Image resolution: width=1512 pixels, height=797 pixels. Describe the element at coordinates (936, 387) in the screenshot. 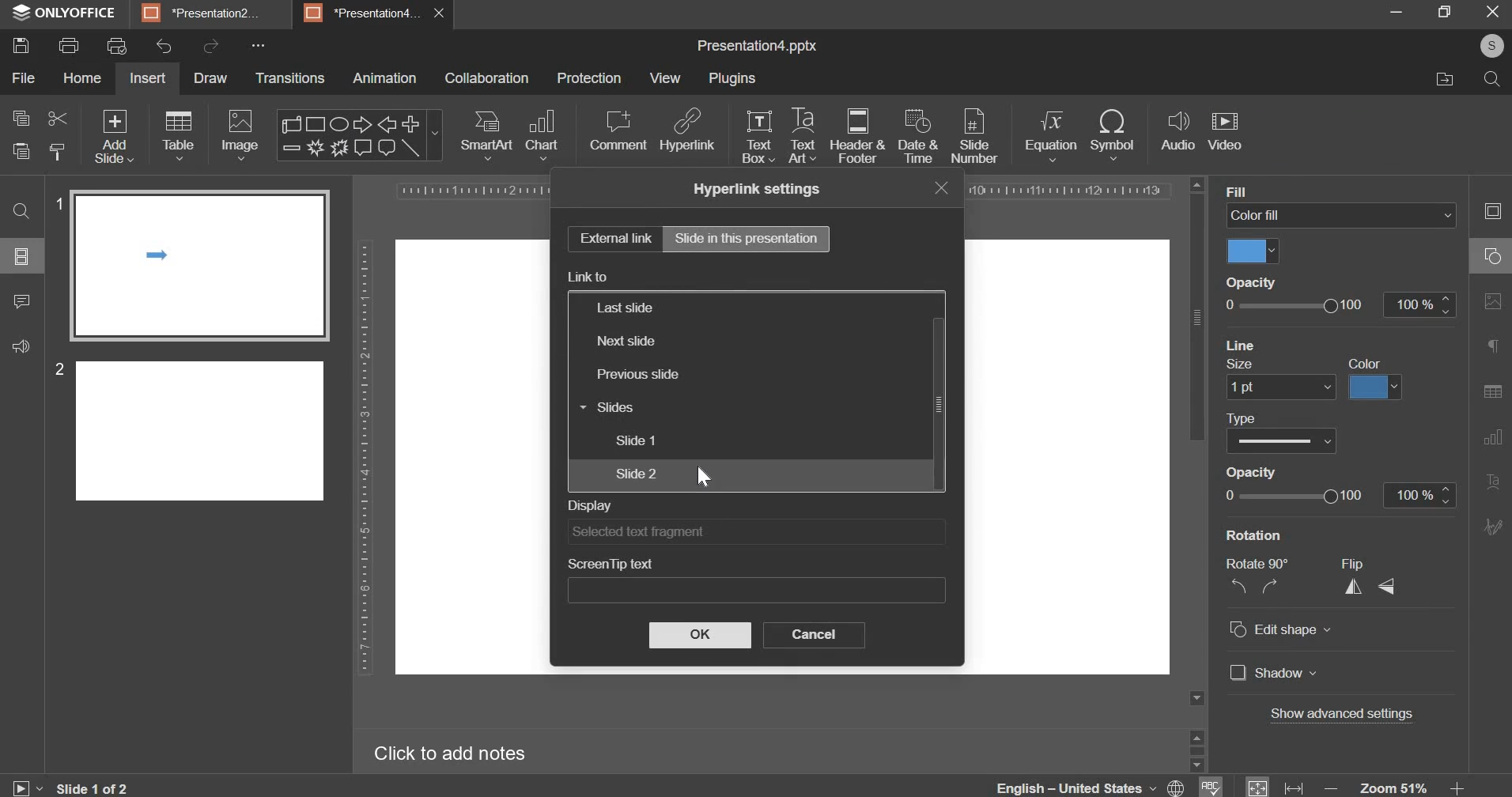

I see `|scroll bar` at that location.